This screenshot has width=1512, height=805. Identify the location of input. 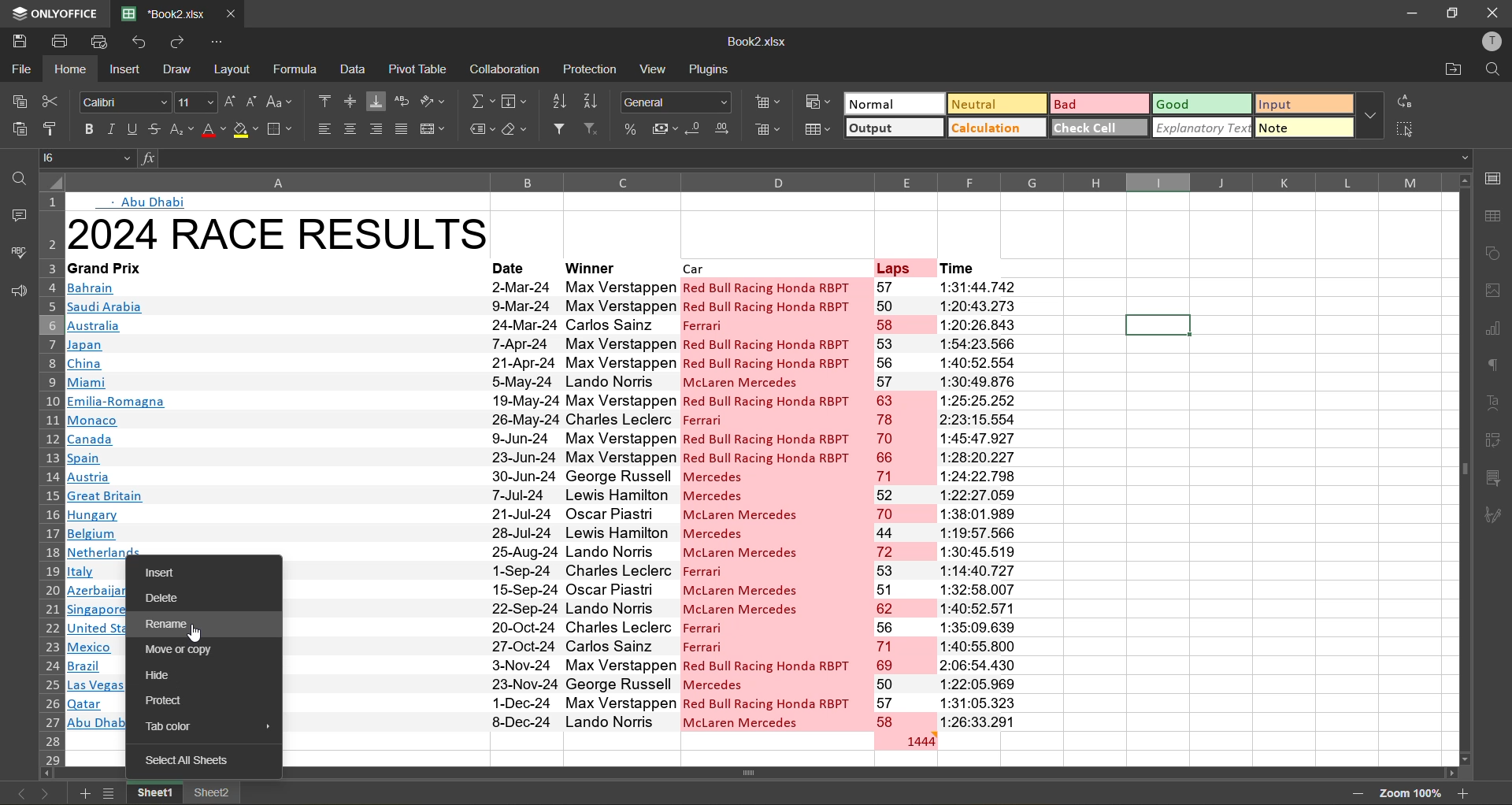
(1301, 106).